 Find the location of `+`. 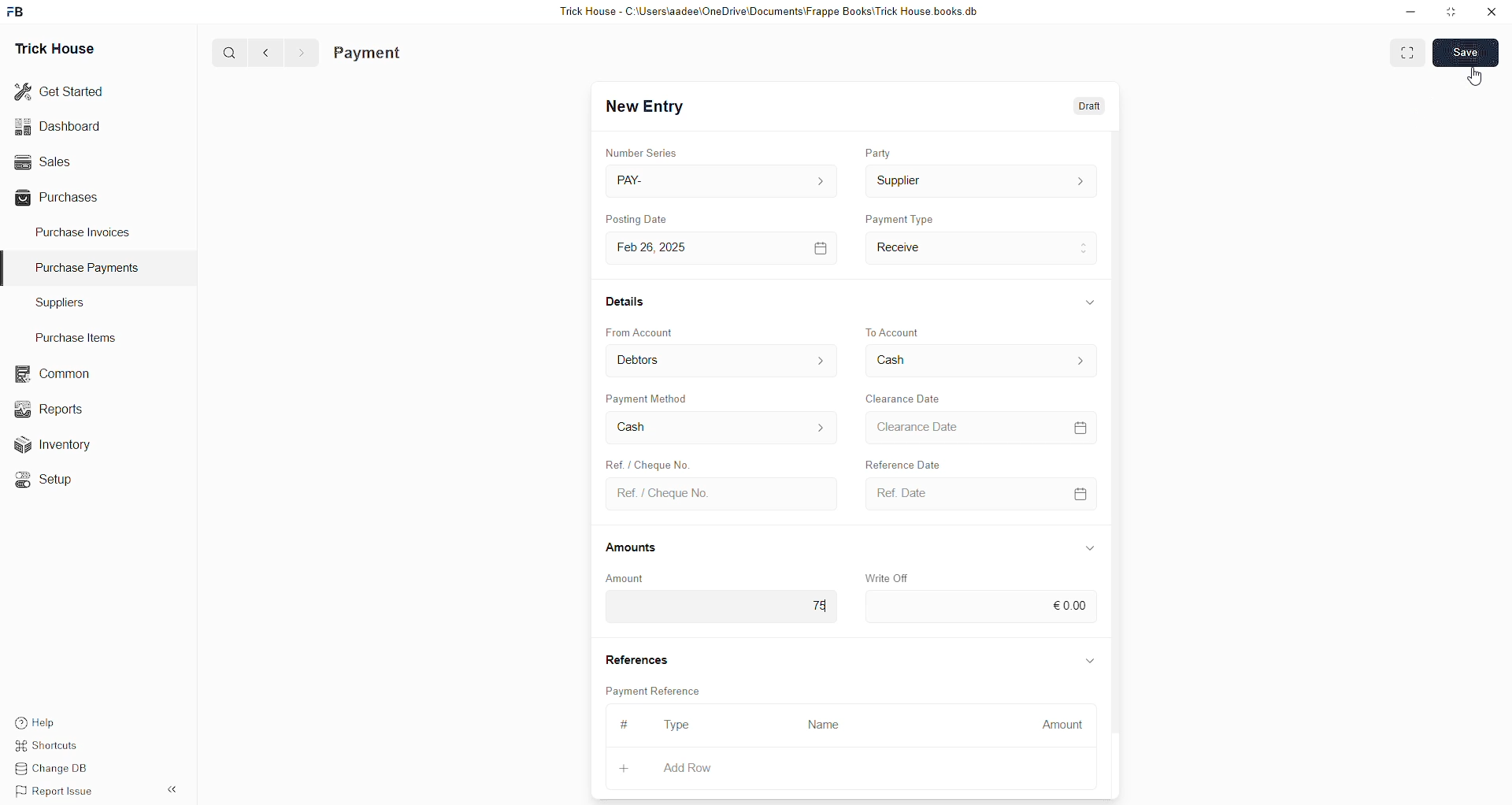

+ is located at coordinates (623, 769).